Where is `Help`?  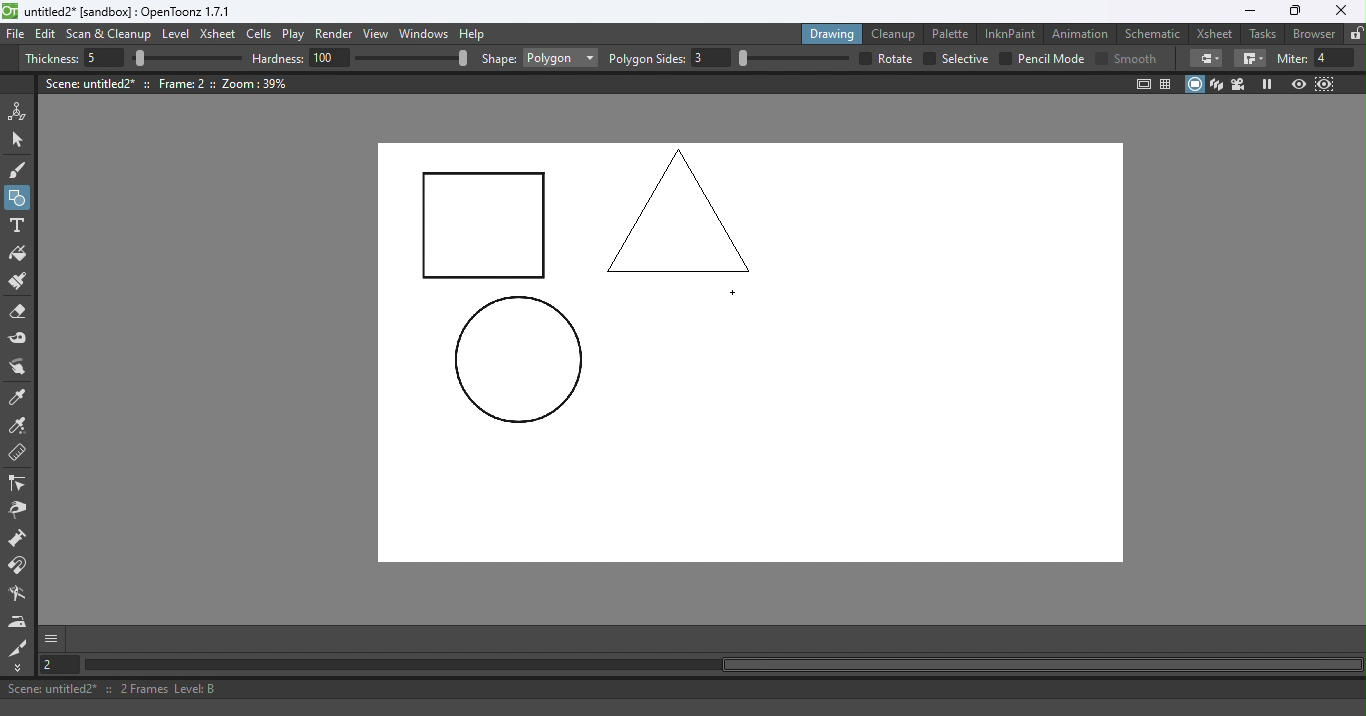
Help is located at coordinates (475, 33).